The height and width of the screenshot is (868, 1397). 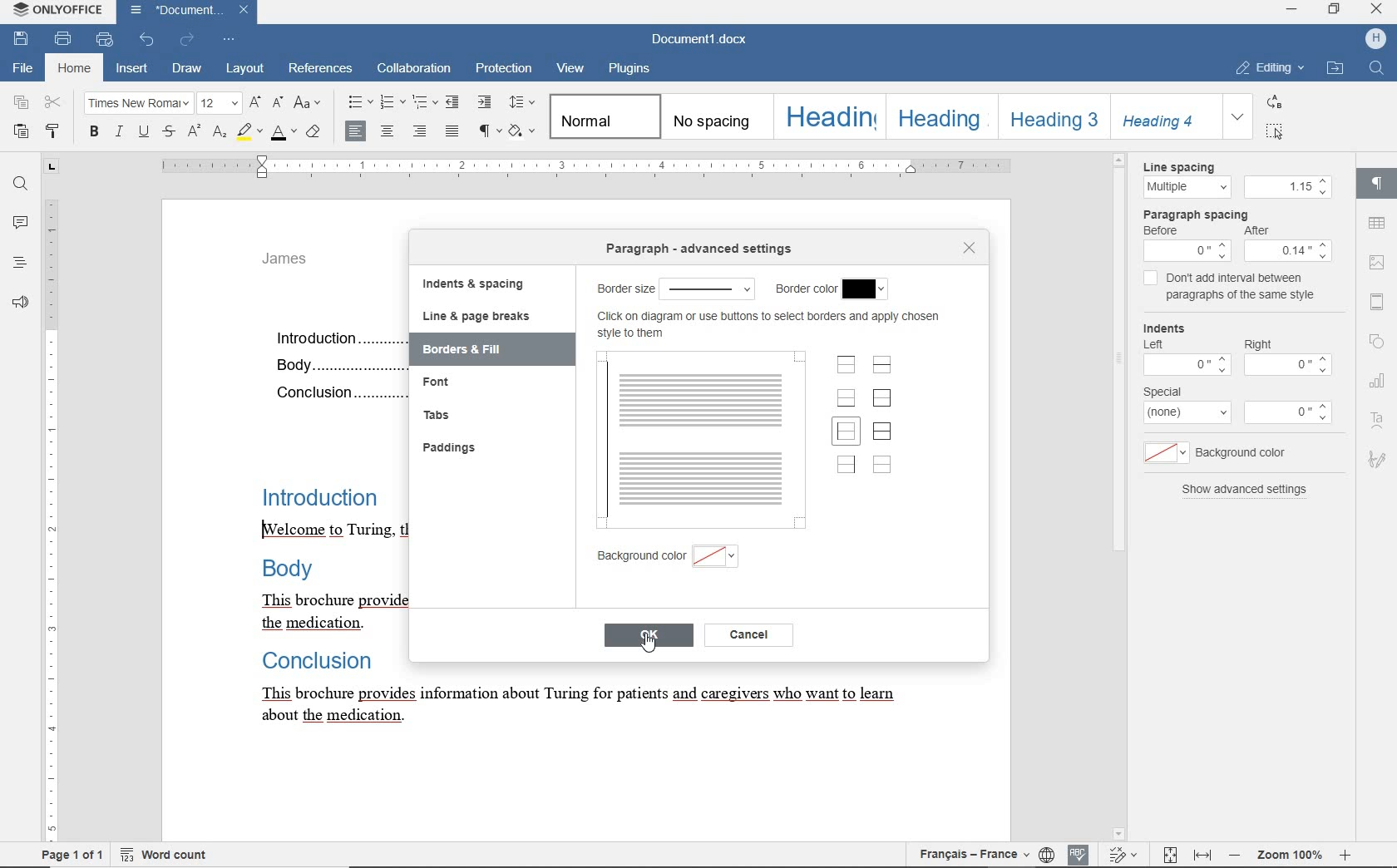 I want to click on fit to page, so click(x=1125, y=855).